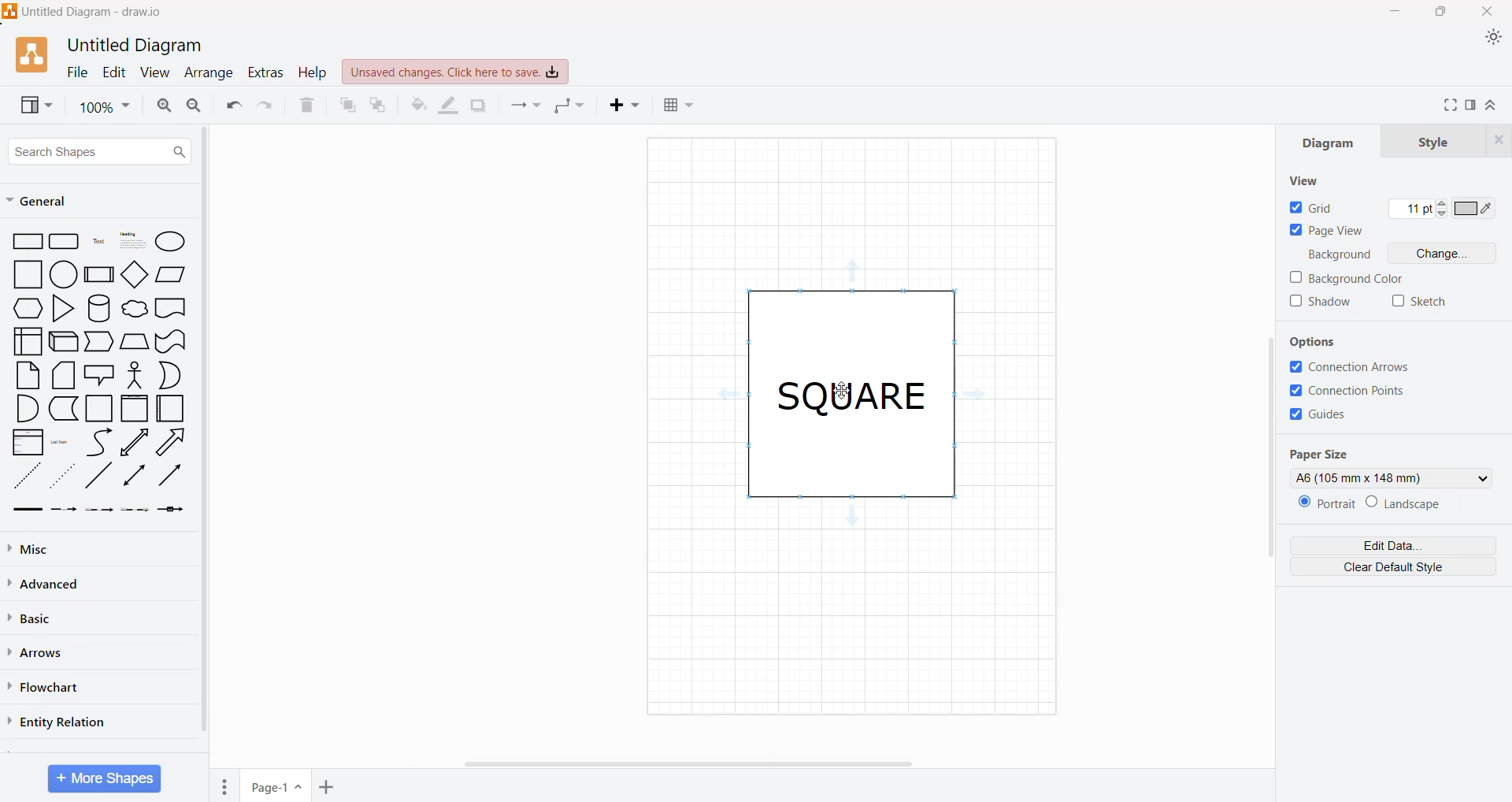  Describe the element at coordinates (1321, 305) in the screenshot. I see `Shadow - click to enable/disable` at that location.